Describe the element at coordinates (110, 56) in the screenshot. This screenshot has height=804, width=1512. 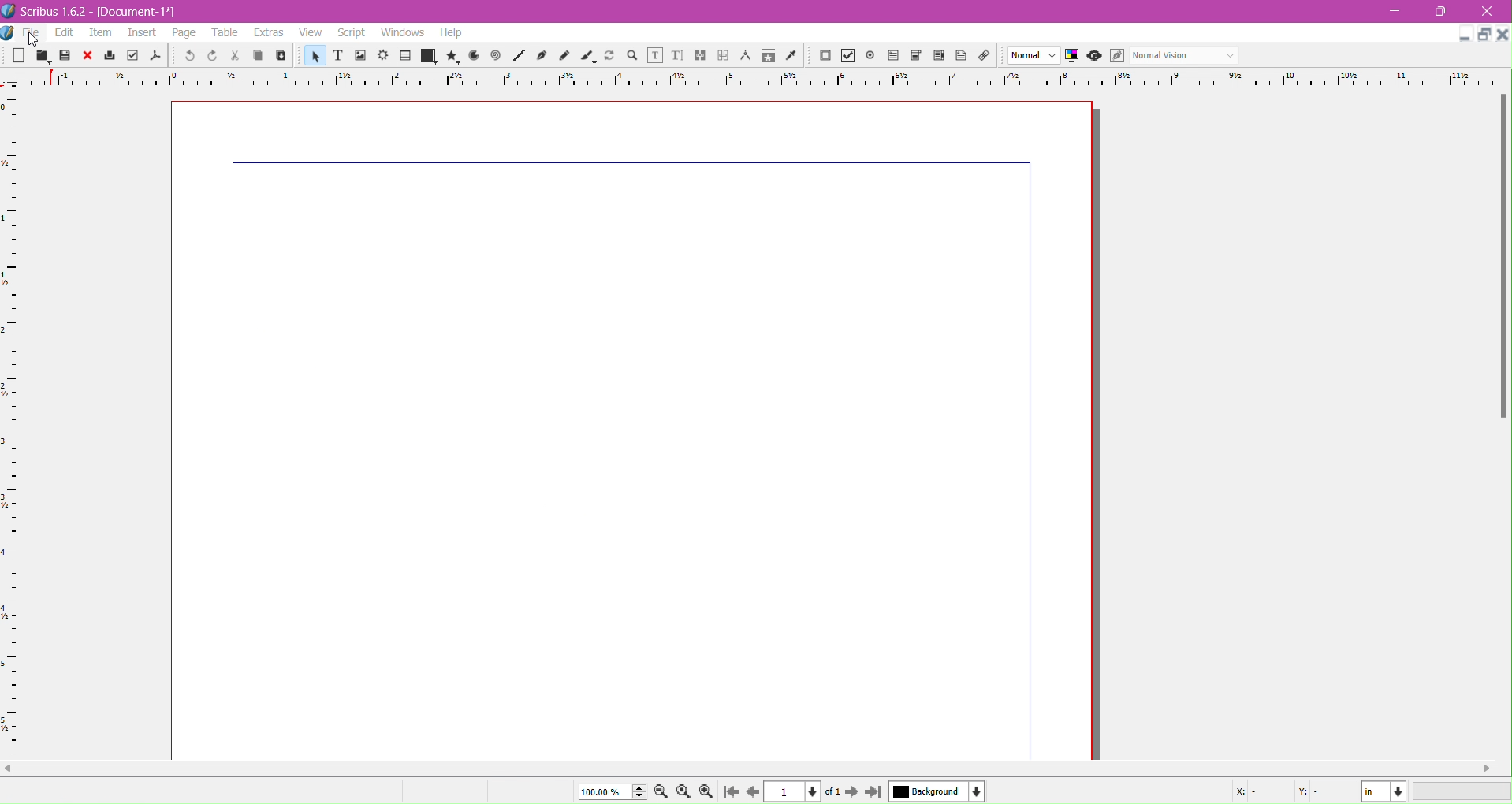
I see `print` at that location.